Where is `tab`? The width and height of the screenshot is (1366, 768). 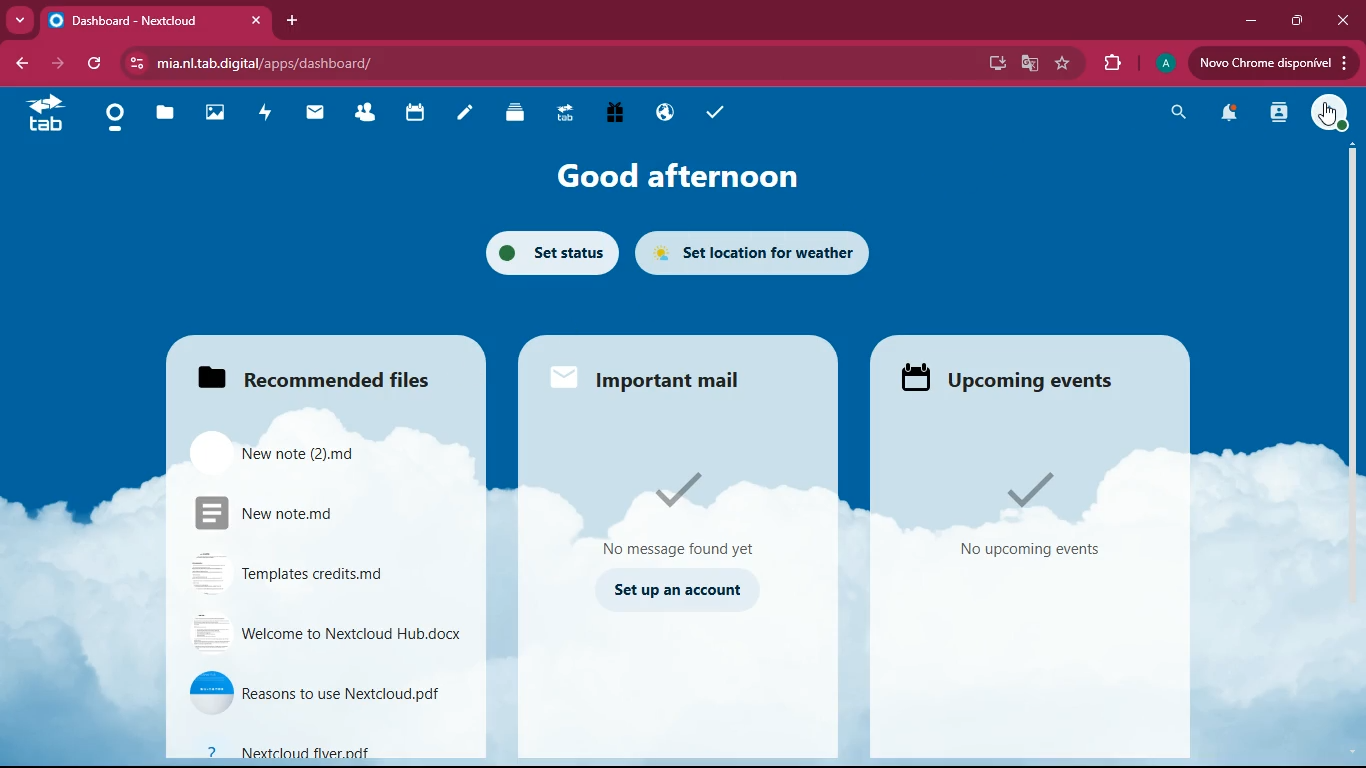
tab is located at coordinates (45, 114).